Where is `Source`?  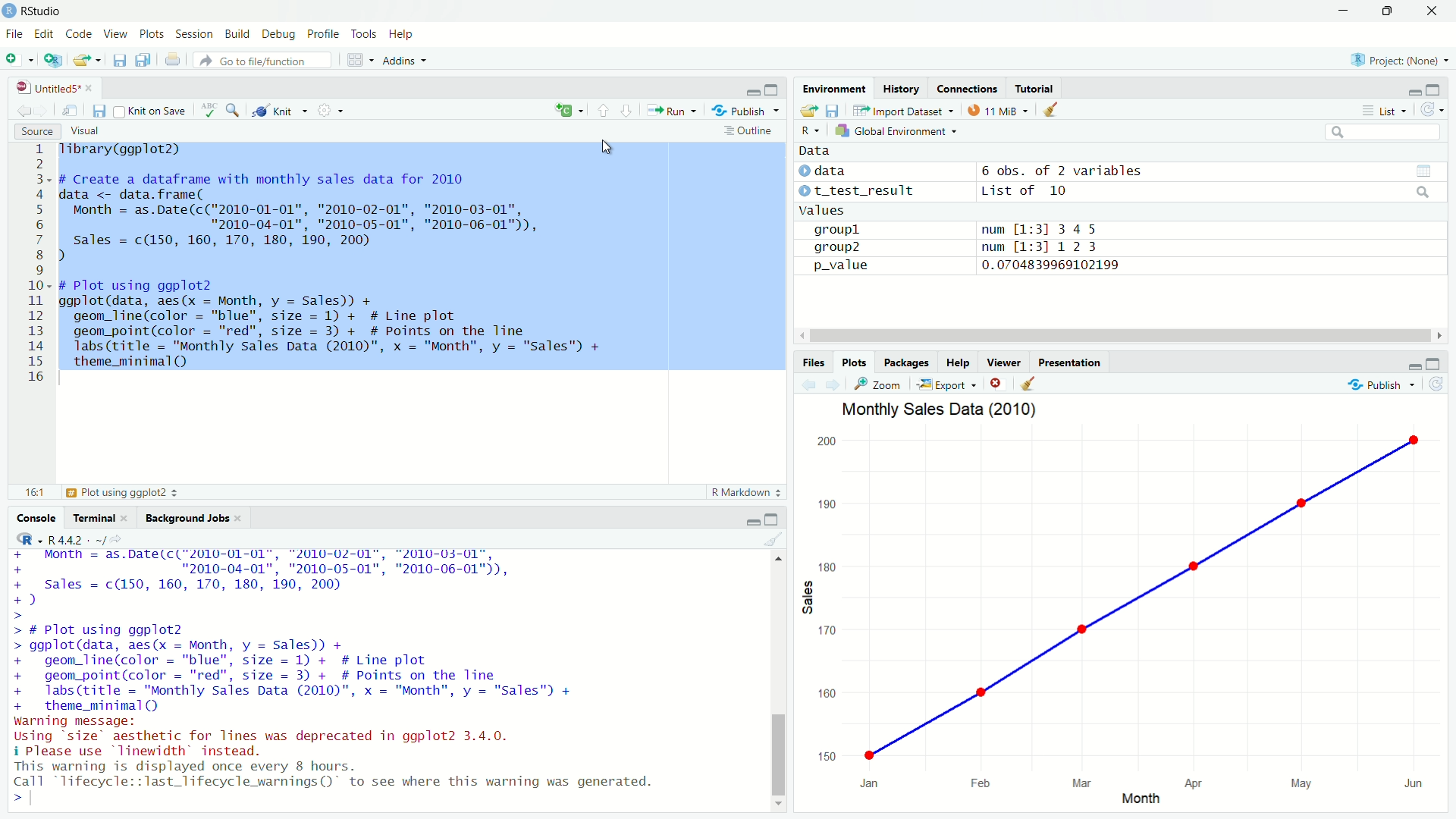
Source is located at coordinates (36, 132).